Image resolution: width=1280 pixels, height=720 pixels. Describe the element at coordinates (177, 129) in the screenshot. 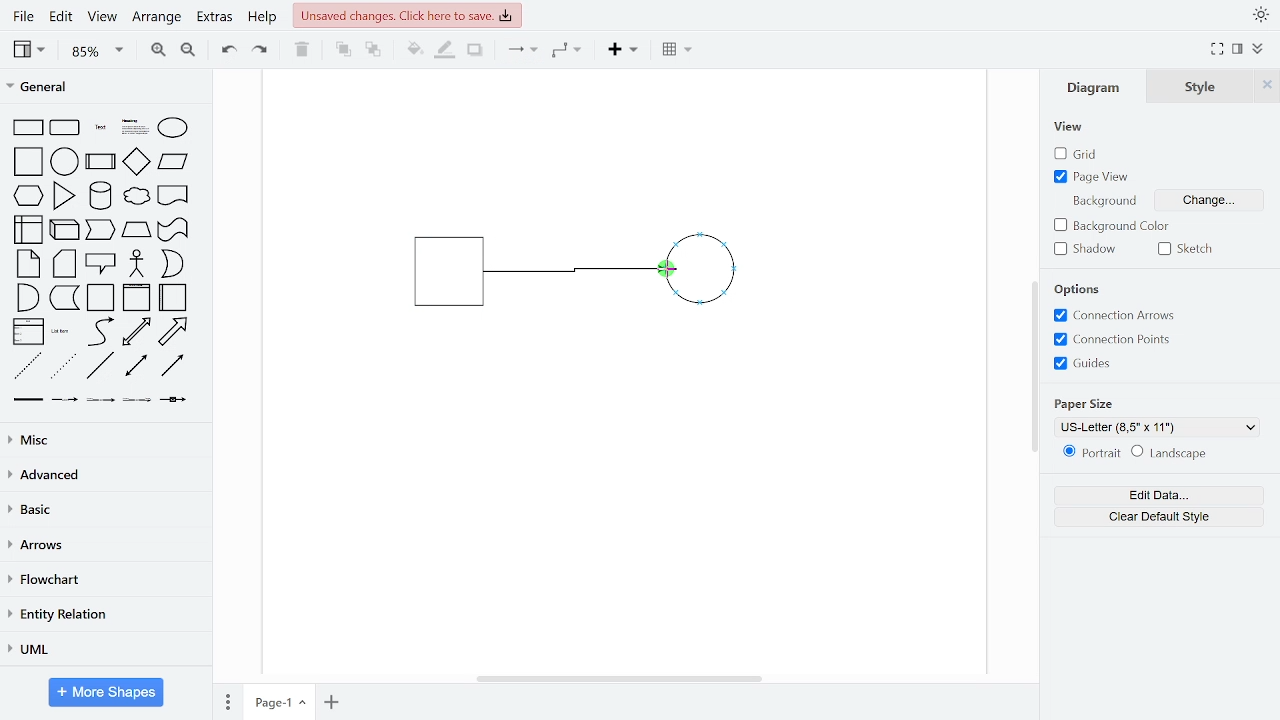

I see `ellipse` at that location.